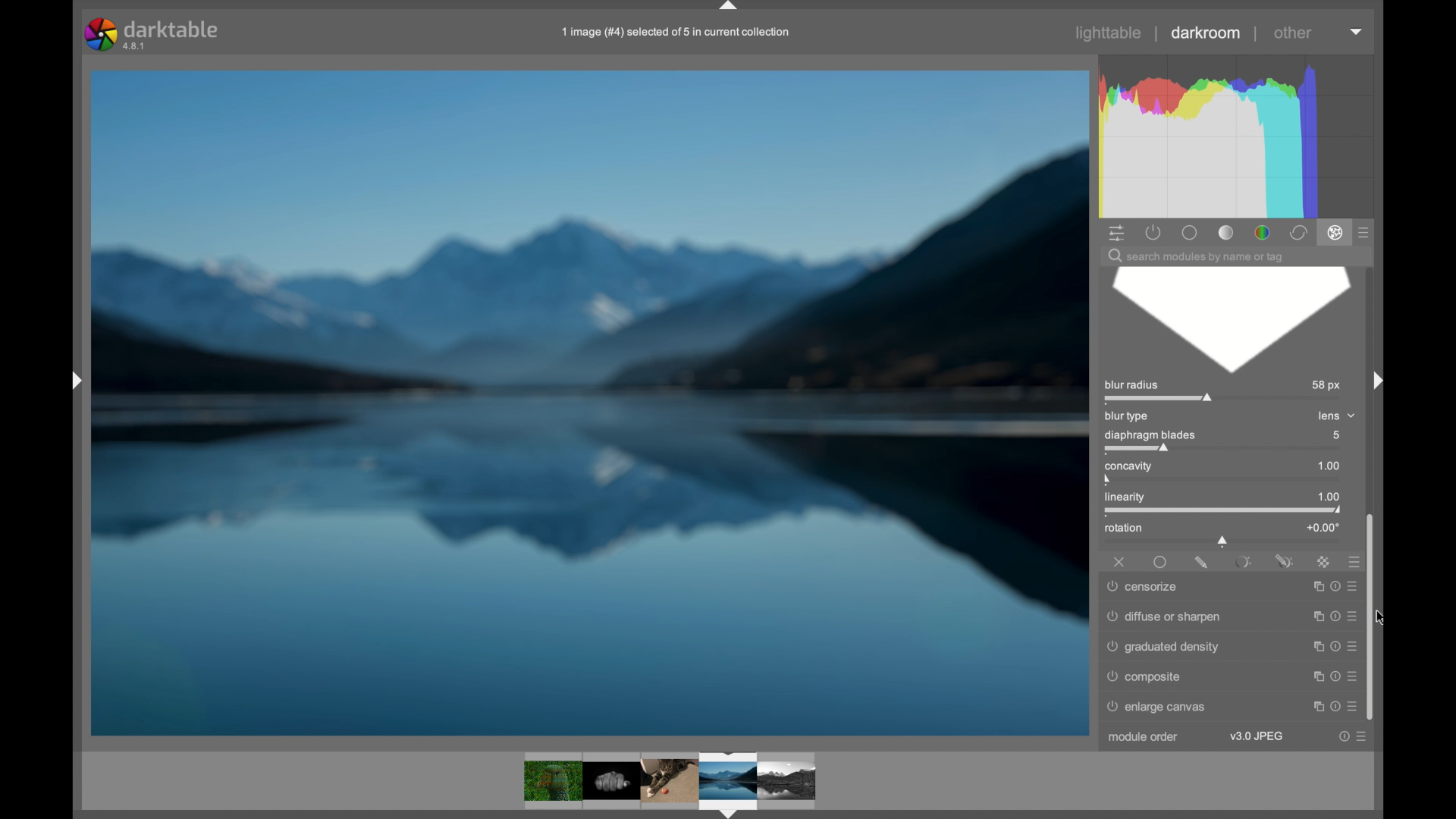 The height and width of the screenshot is (819, 1456). I want to click on diffuse or sharpen, so click(1164, 614).